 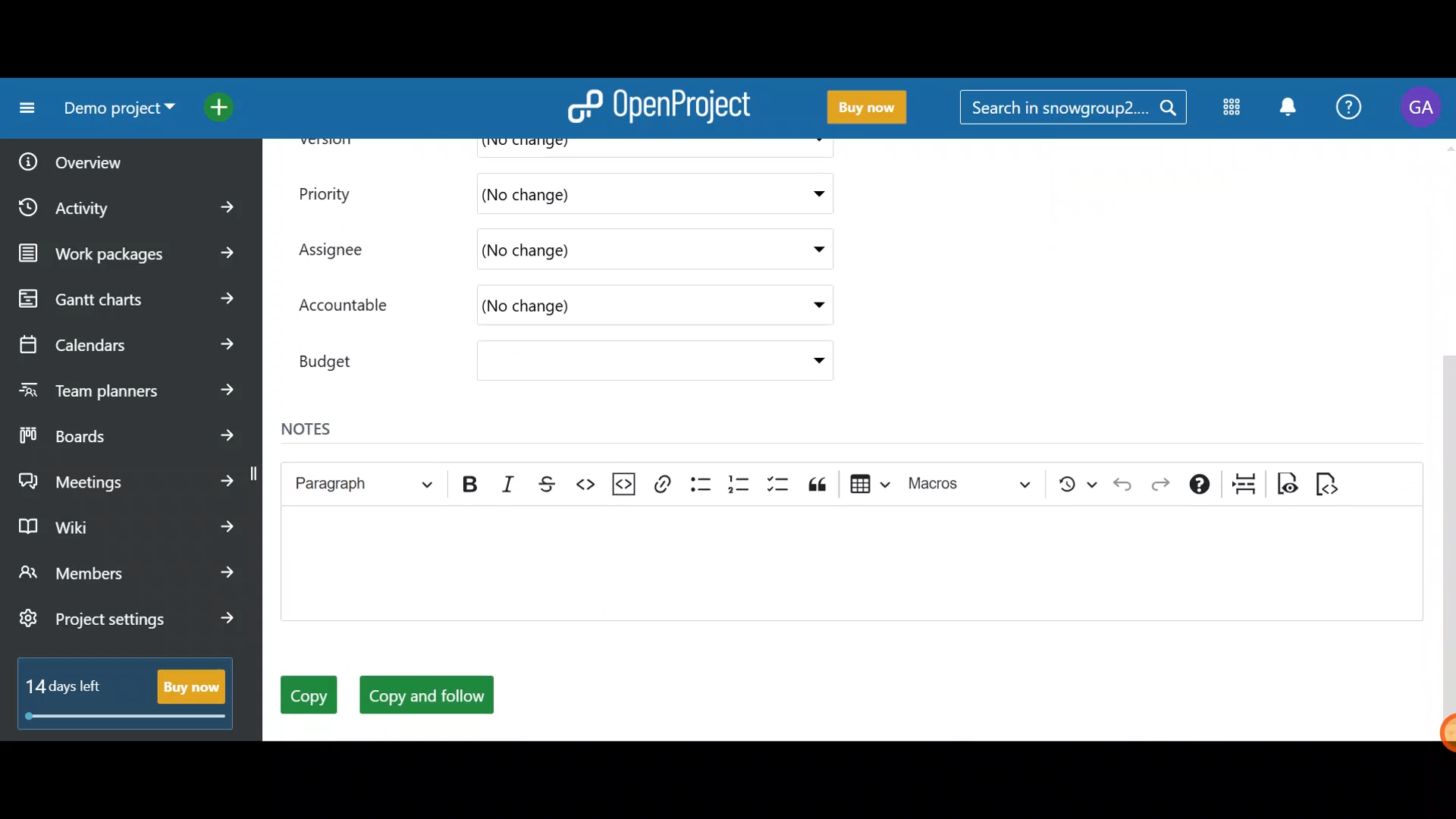 What do you see at coordinates (868, 483) in the screenshot?
I see `Insert table` at bounding box center [868, 483].